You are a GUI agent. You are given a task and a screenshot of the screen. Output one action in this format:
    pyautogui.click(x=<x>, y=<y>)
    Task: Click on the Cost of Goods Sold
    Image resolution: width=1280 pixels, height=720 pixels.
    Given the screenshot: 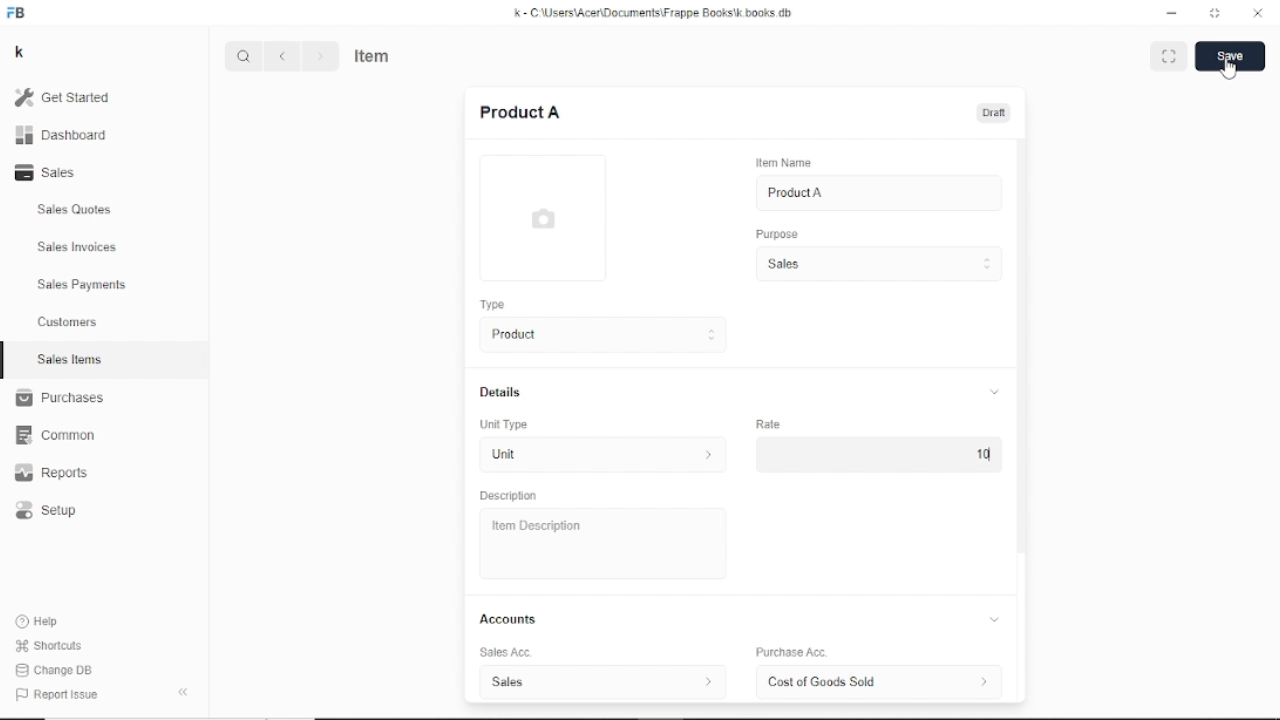 What is the action you would take?
    pyautogui.click(x=884, y=682)
    